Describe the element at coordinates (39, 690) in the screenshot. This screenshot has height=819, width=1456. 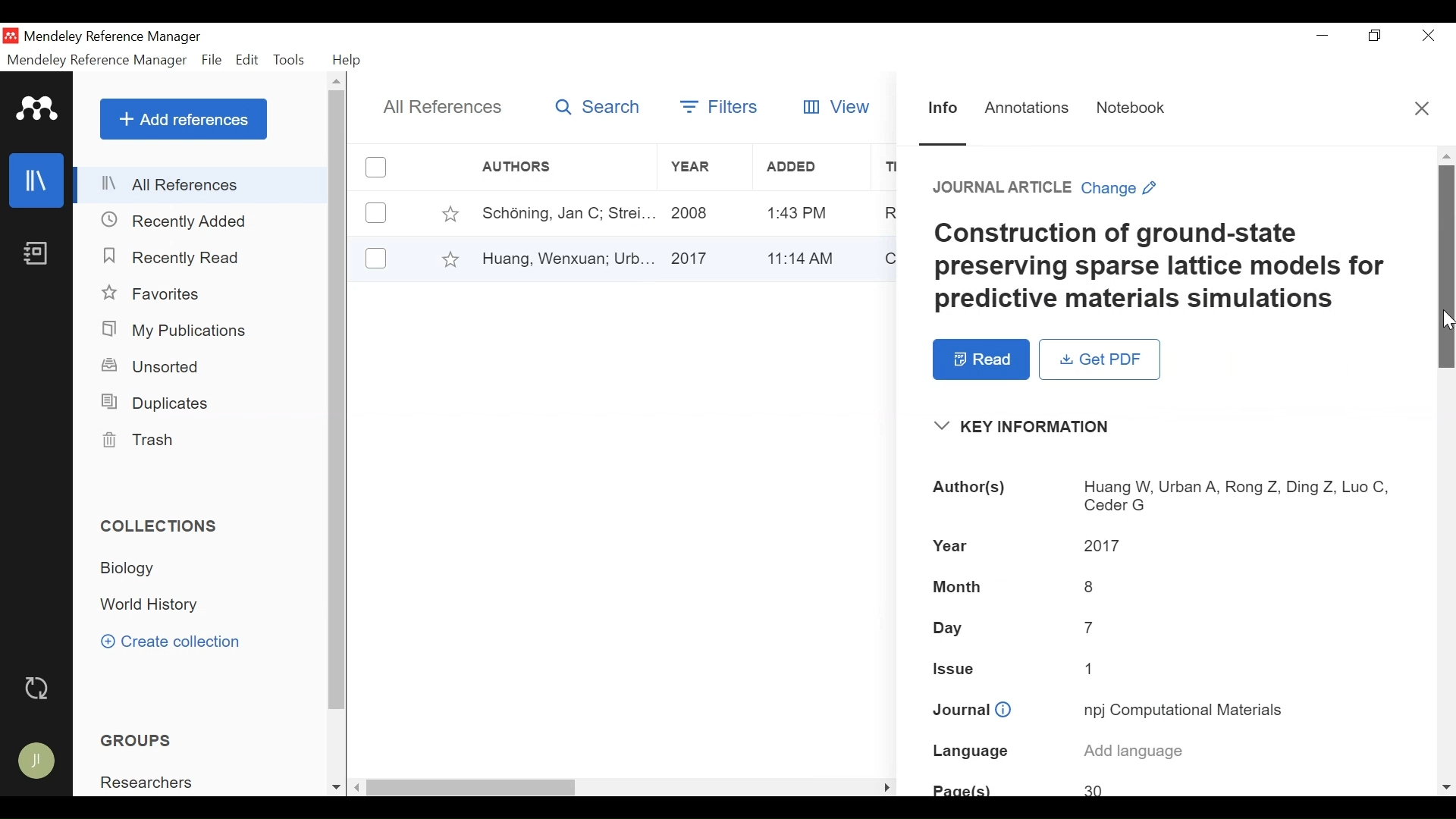
I see `Sync` at that location.